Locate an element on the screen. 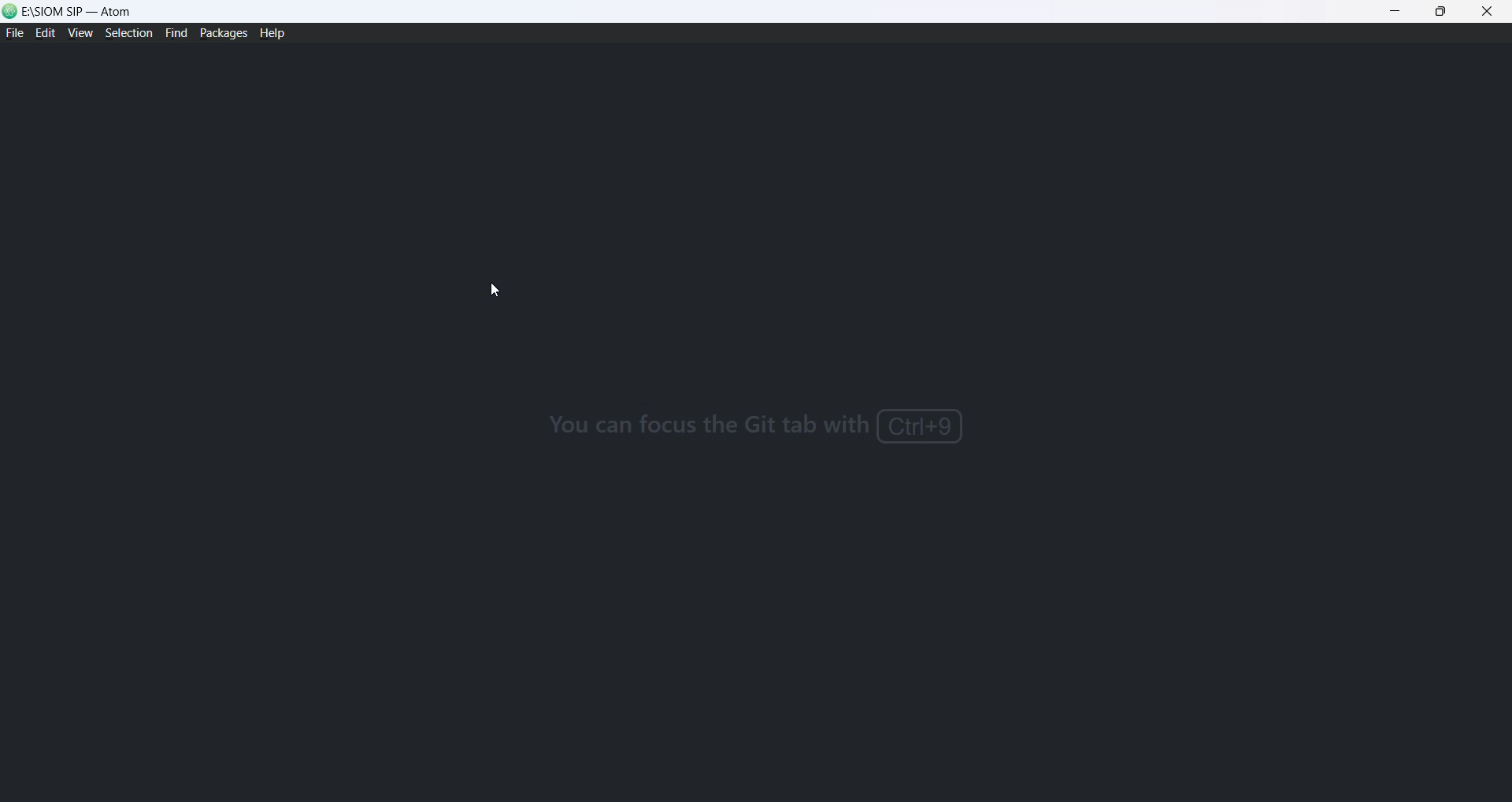 This screenshot has height=802, width=1512. packages is located at coordinates (223, 32).